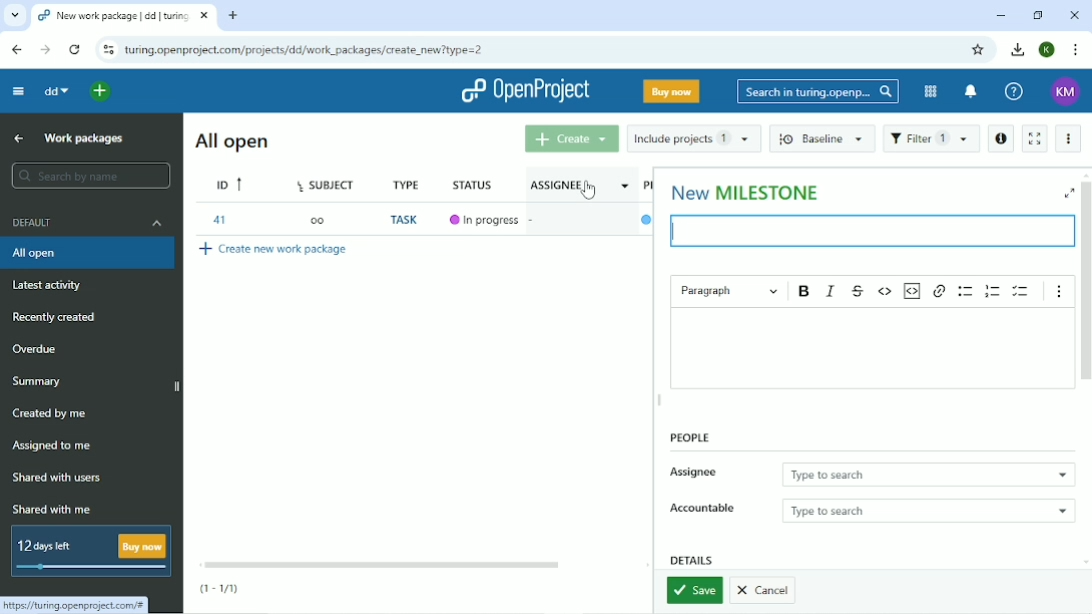 This screenshot has width=1092, height=614. What do you see at coordinates (971, 91) in the screenshot?
I see `To notification center` at bounding box center [971, 91].